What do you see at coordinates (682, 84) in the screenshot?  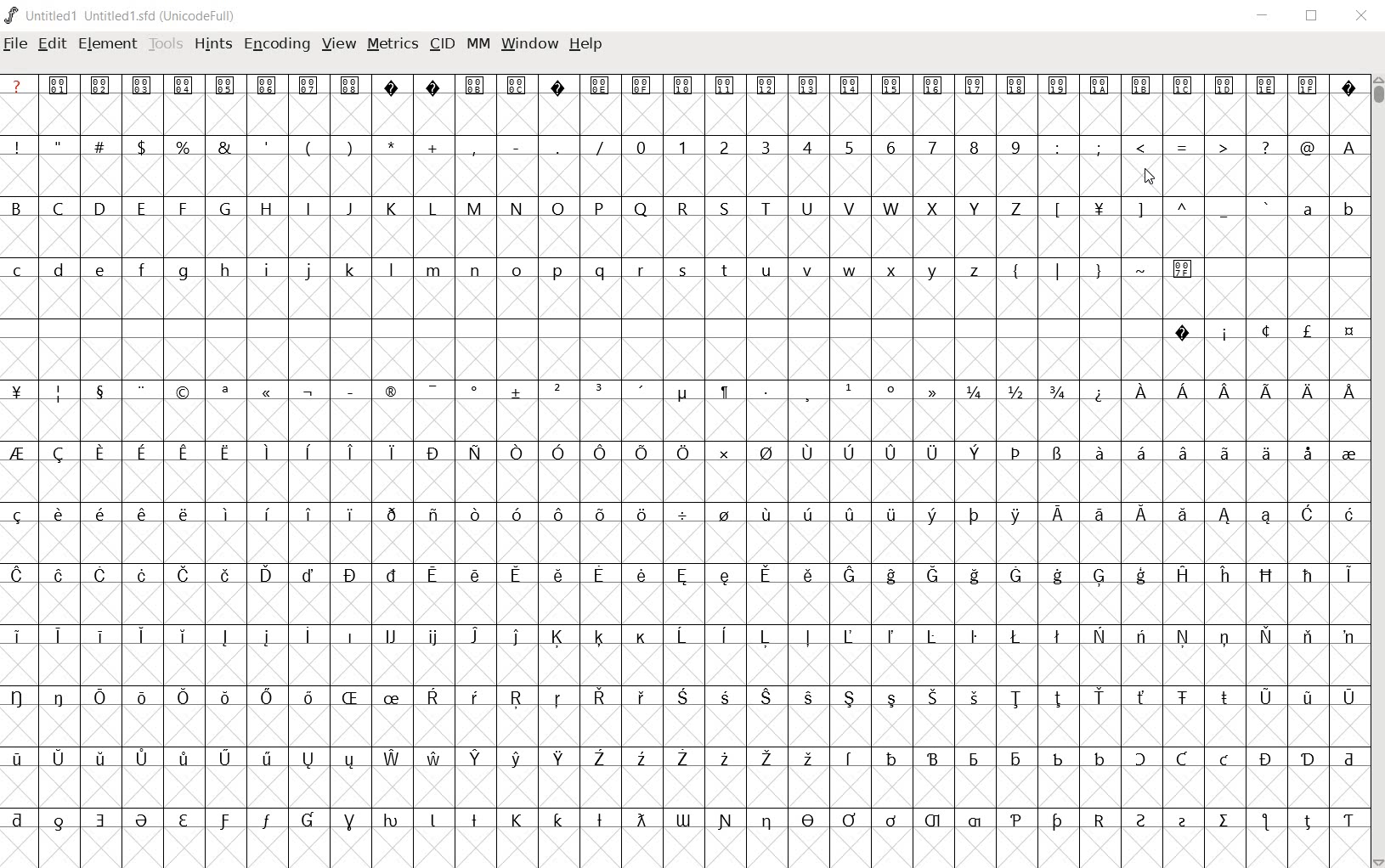 I see `special symbols` at bounding box center [682, 84].